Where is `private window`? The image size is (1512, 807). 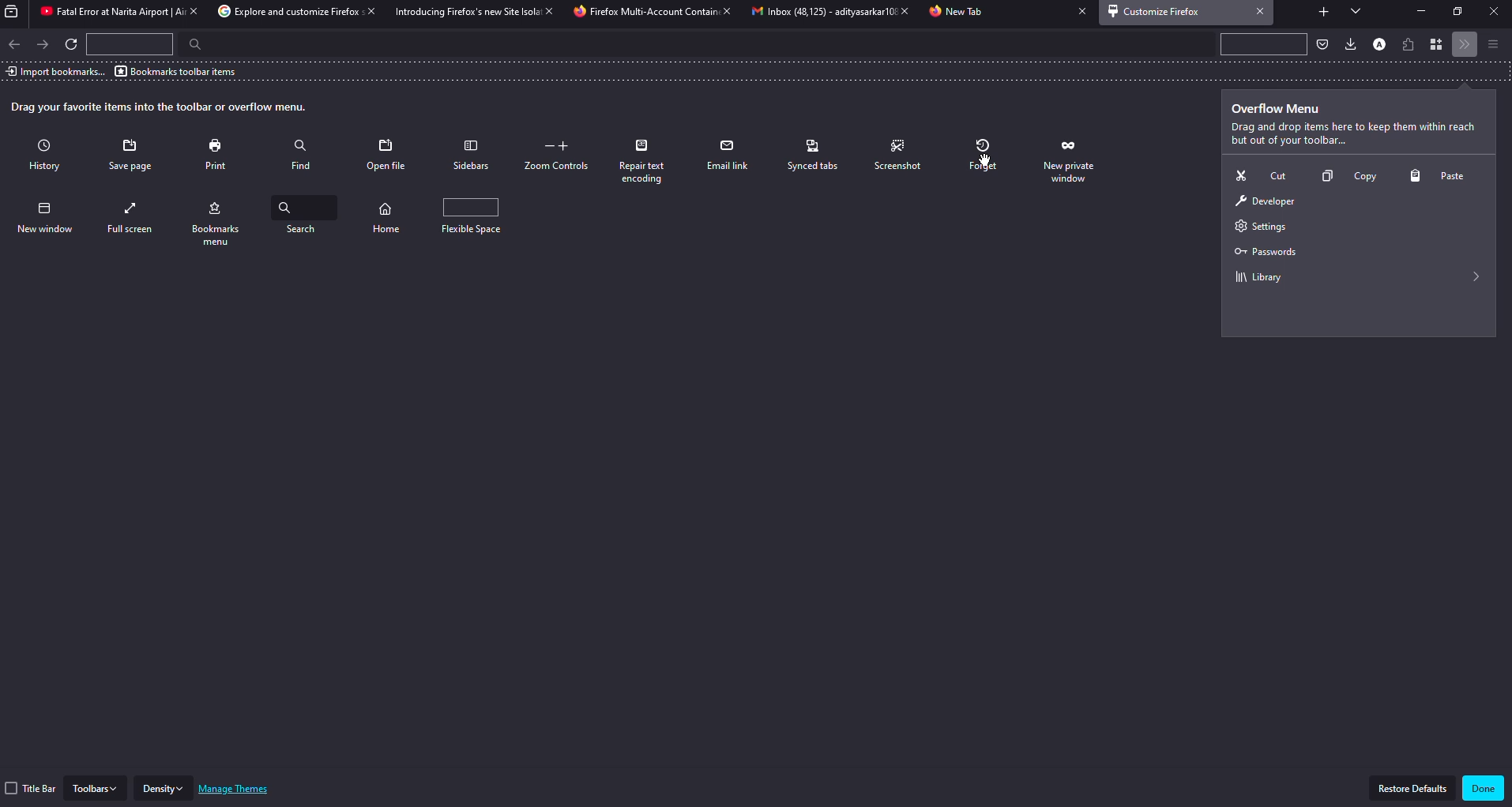 private window is located at coordinates (1067, 156).